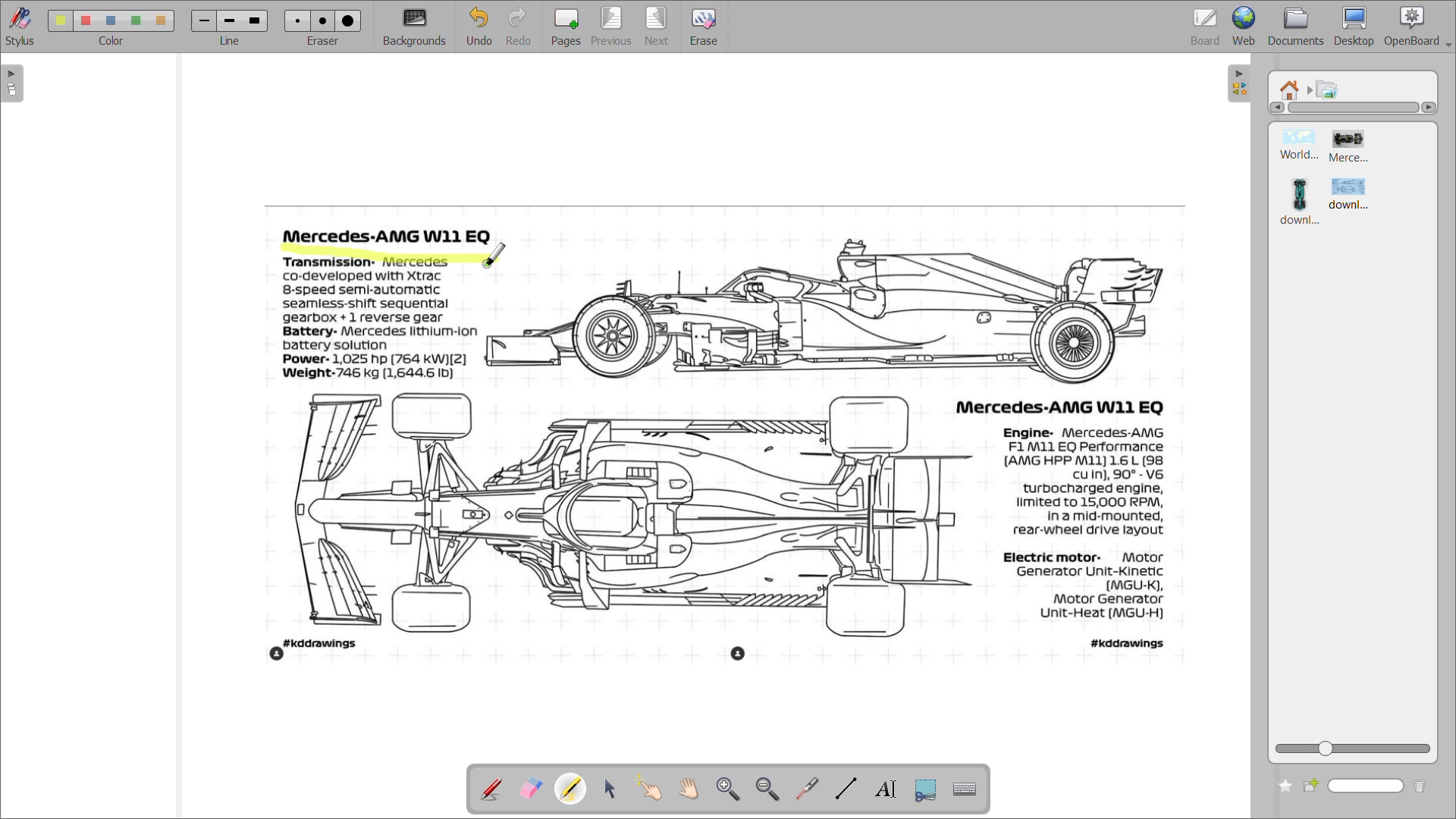 Image resolution: width=1456 pixels, height=819 pixels. I want to click on zoom out, so click(767, 789).